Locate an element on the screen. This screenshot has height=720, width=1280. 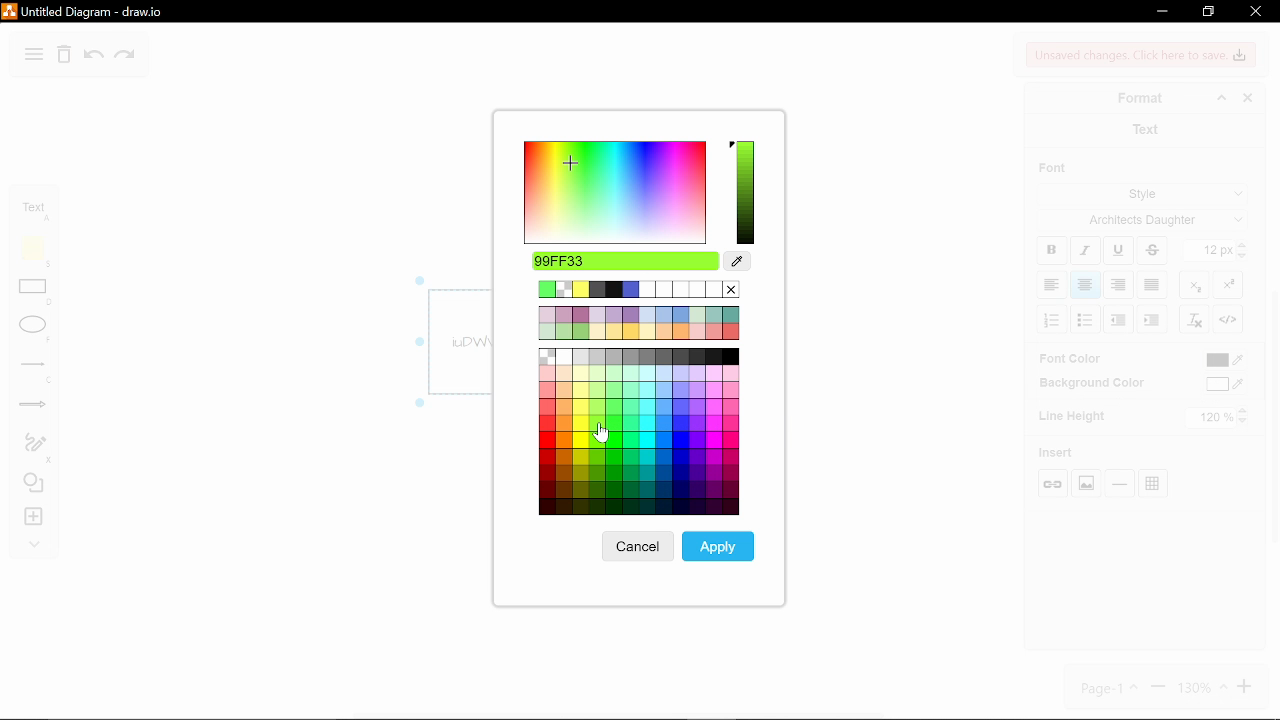
zoom out is located at coordinates (1156, 690).